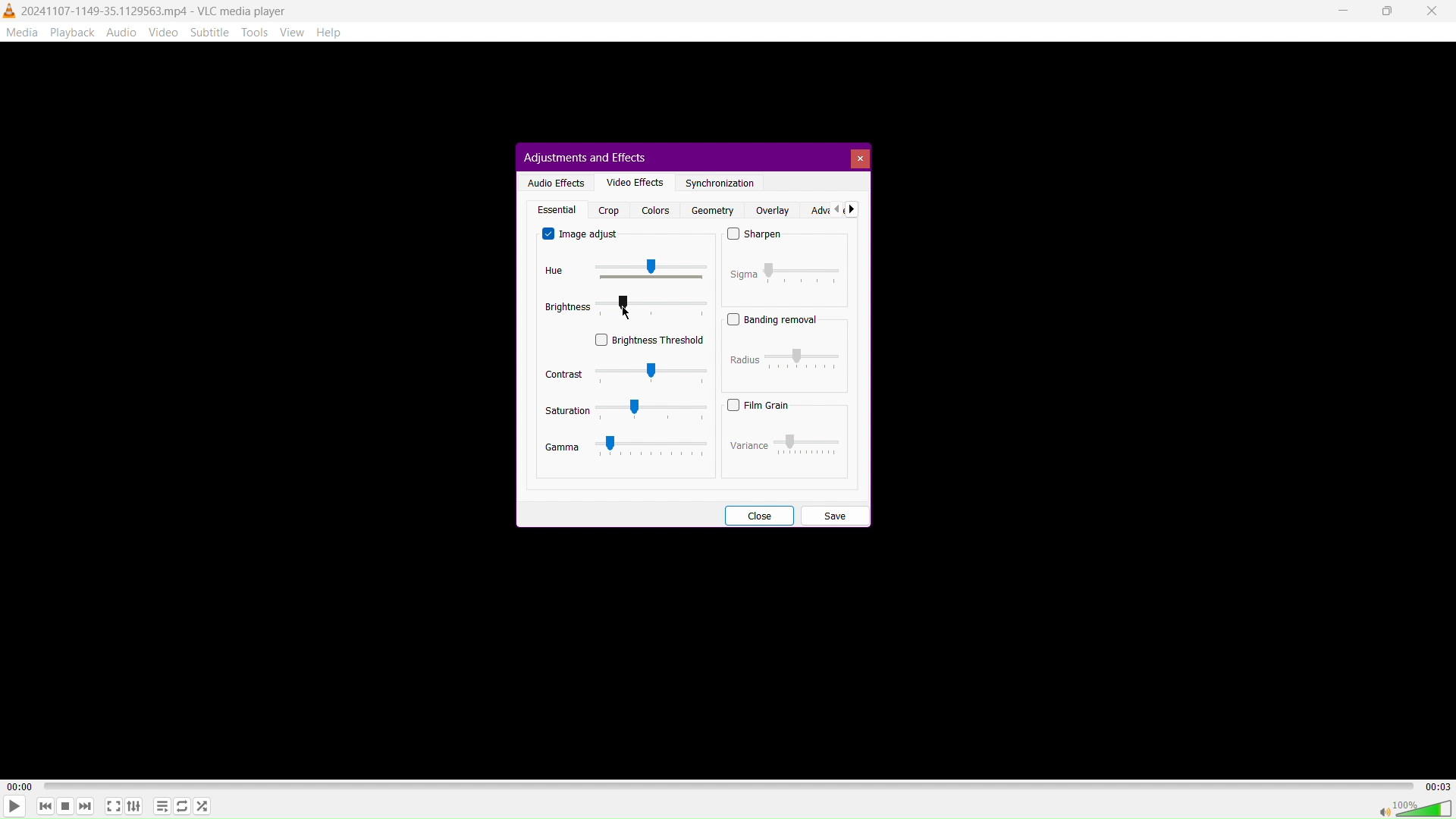 The width and height of the screenshot is (1456, 819). Describe the element at coordinates (582, 234) in the screenshot. I see `Image adjust` at that location.